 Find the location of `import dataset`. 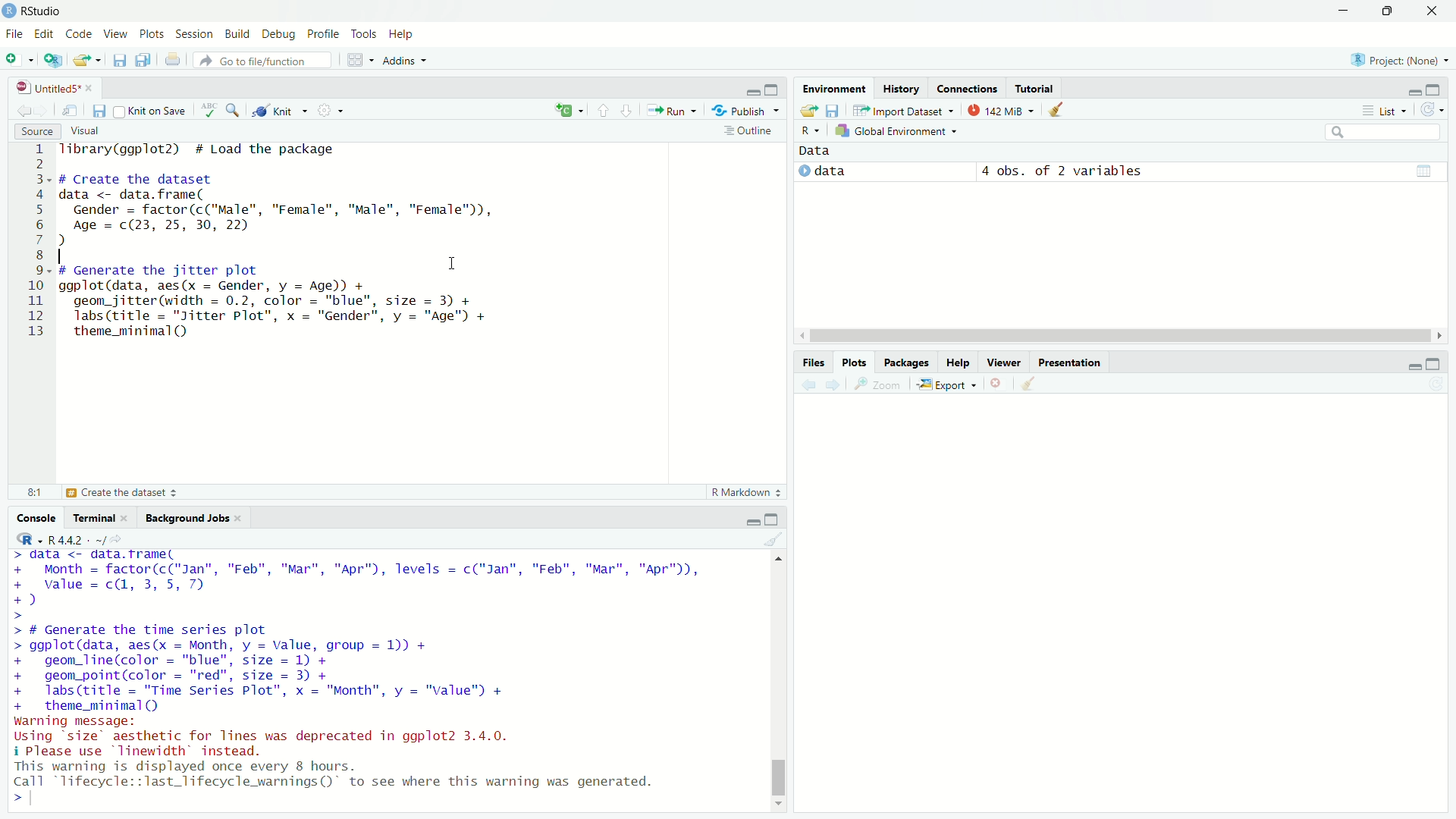

import dataset is located at coordinates (903, 110).